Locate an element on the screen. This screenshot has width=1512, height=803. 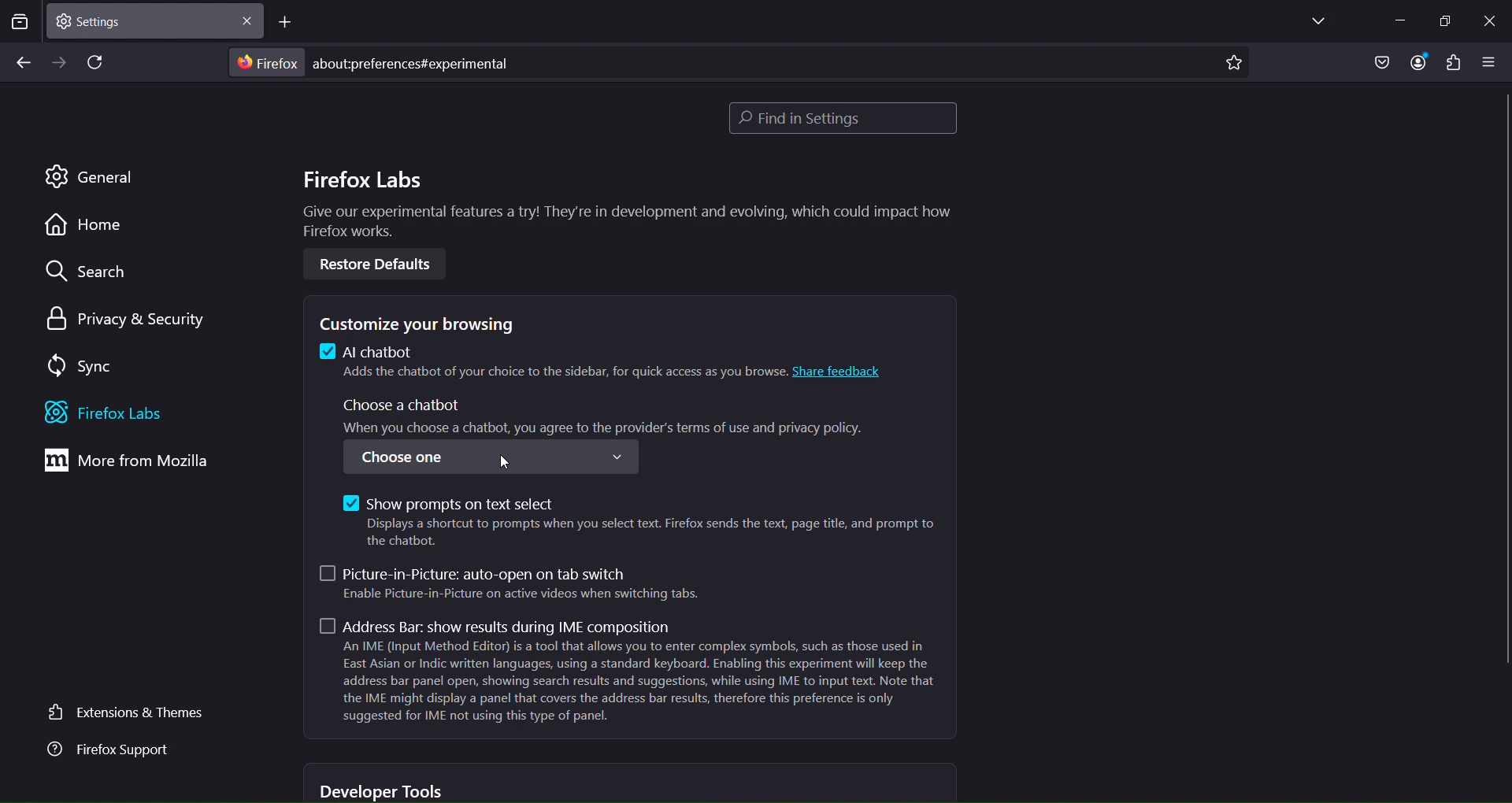
minimize is located at coordinates (1393, 19).